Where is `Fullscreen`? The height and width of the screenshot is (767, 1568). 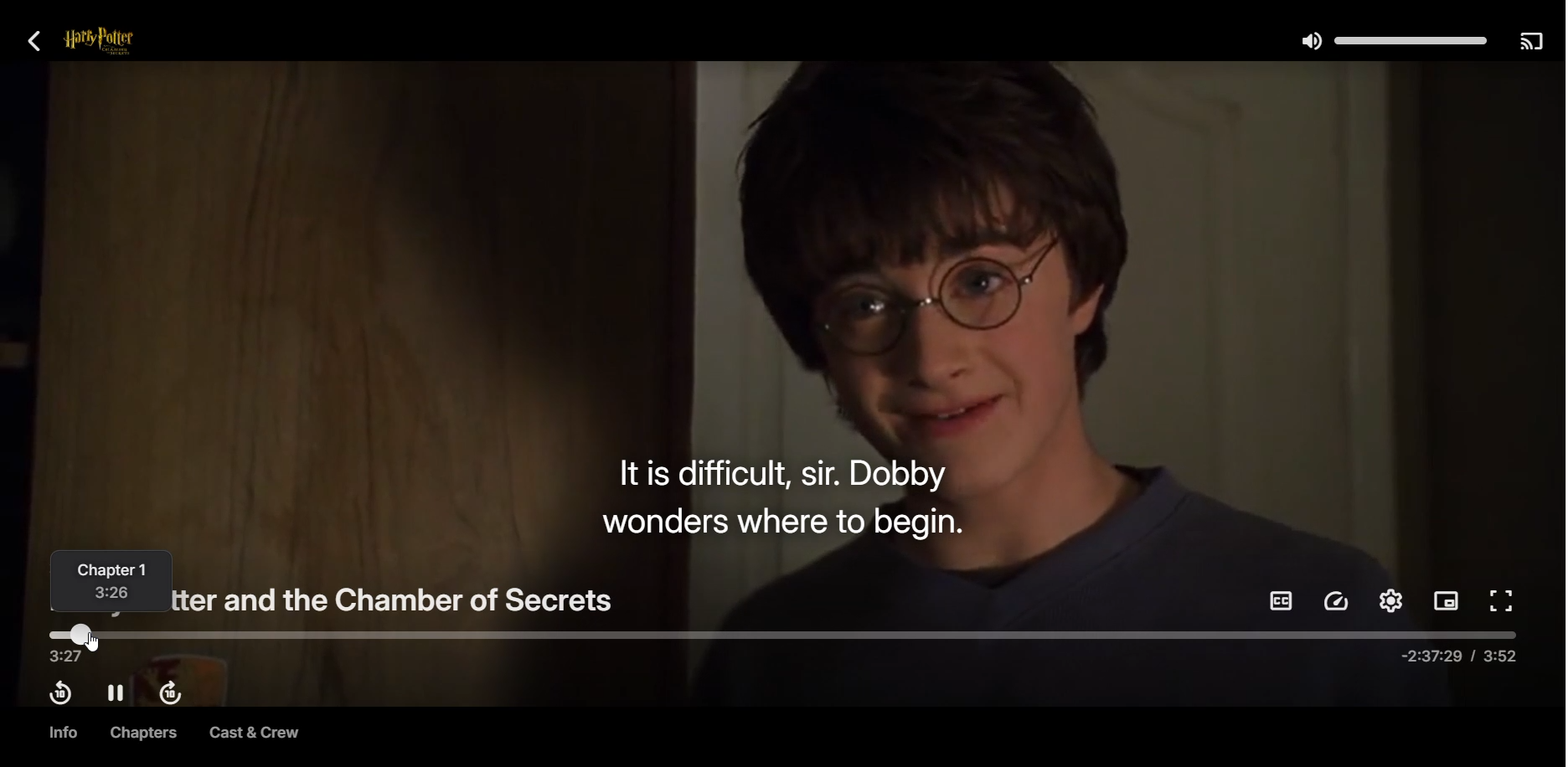
Fullscreen is located at coordinates (1504, 602).